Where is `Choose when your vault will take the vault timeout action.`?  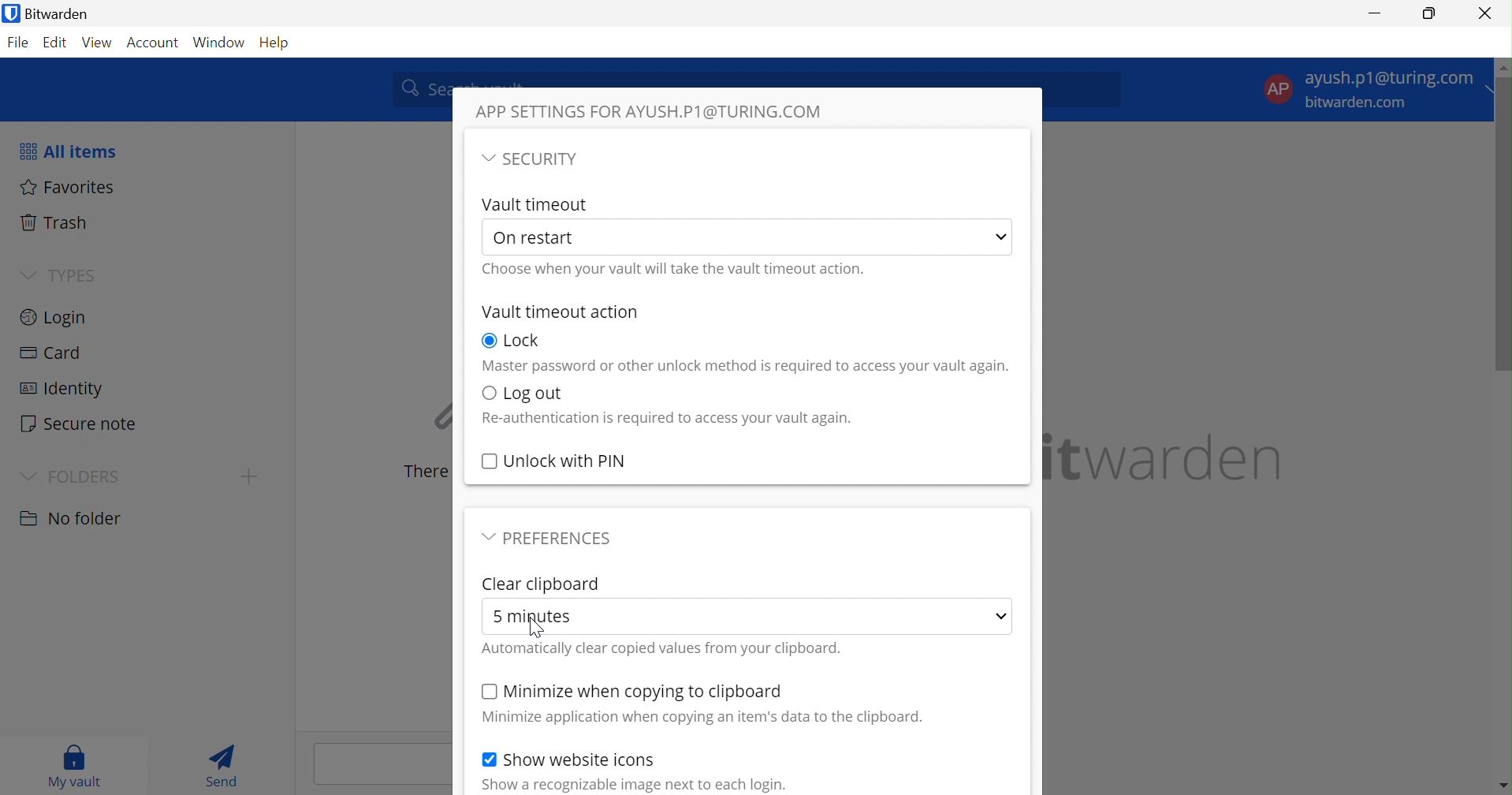
Choose when your vault will take the vault timeout action. is located at coordinates (675, 269).